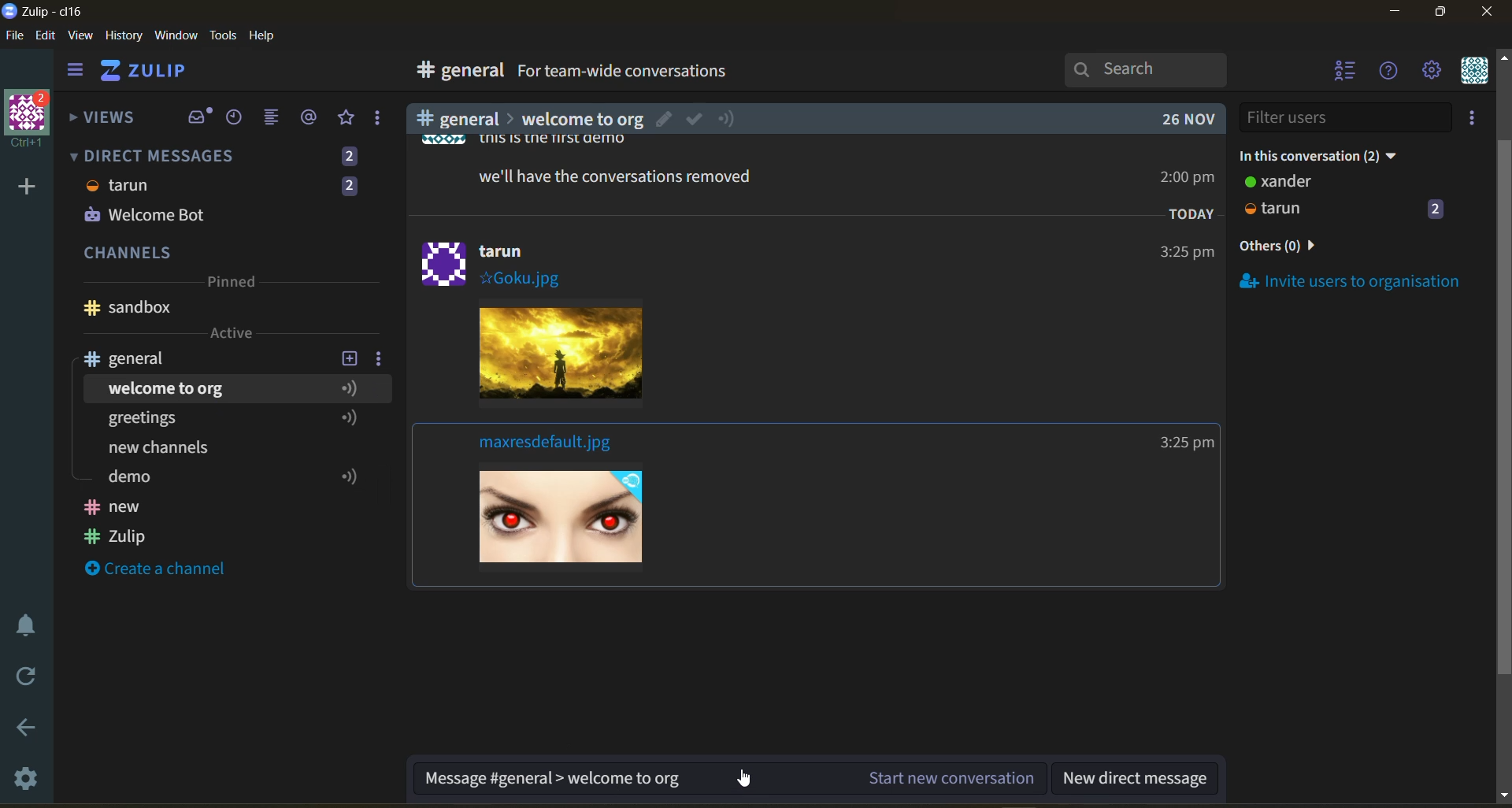 The width and height of the screenshot is (1512, 808). Describe the element at coordinates (1346, 72) in the screenshot. I see `hide user list` at that location.